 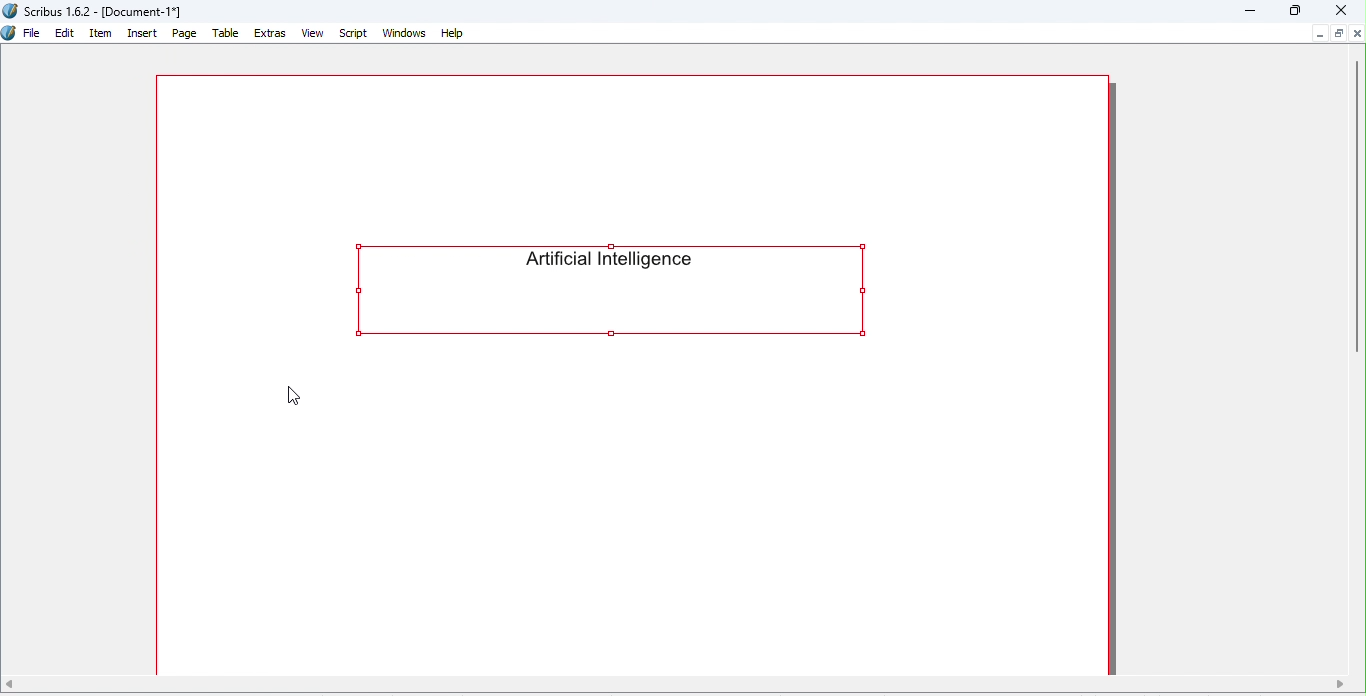 What do you see at coordinates (101, 34) in the screenshot?
I see `Item` at bounding box center [101, 34].